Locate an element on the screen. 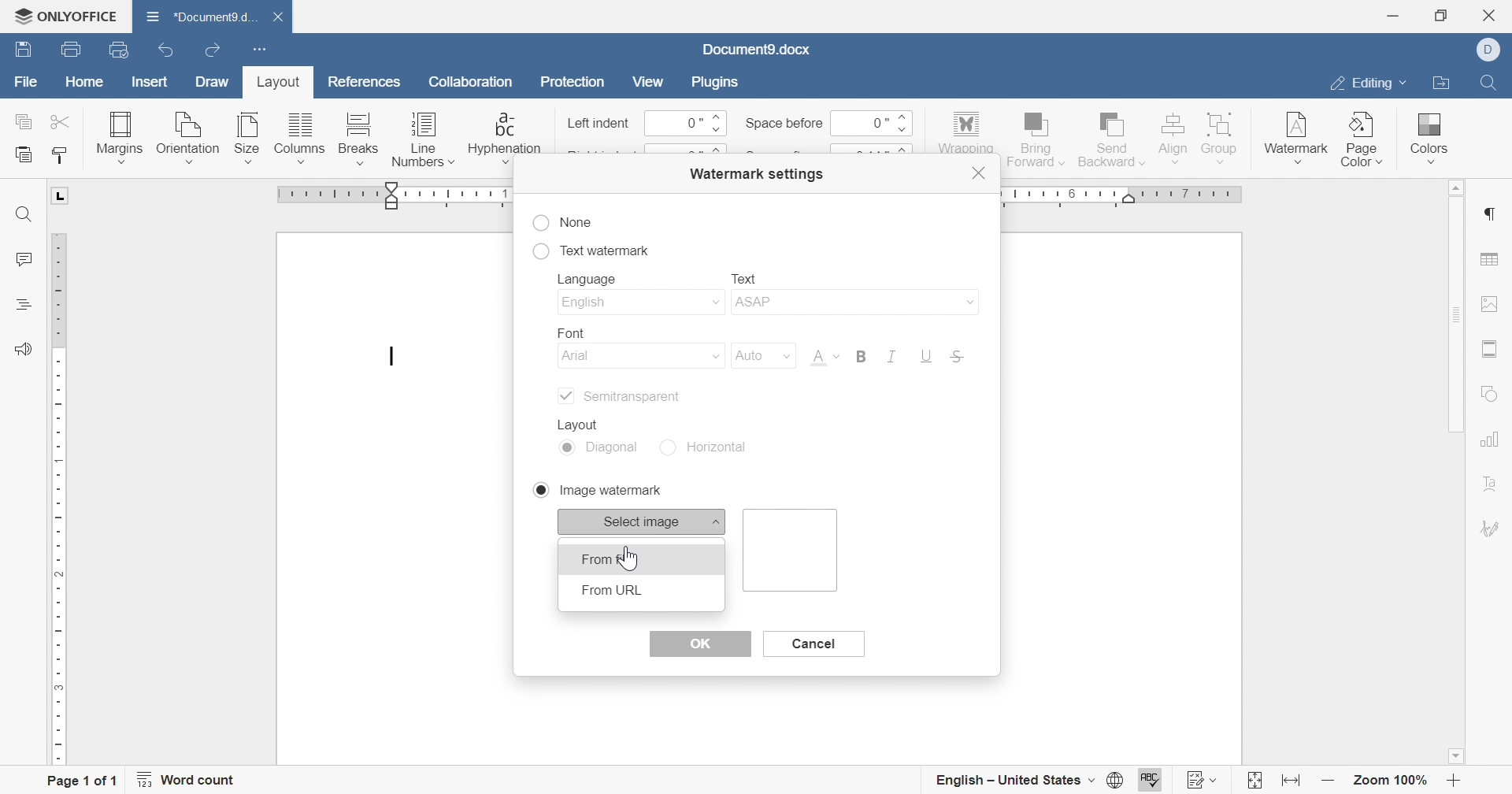 The image size is (1512, 794). print is located at coordinates (69, 52).